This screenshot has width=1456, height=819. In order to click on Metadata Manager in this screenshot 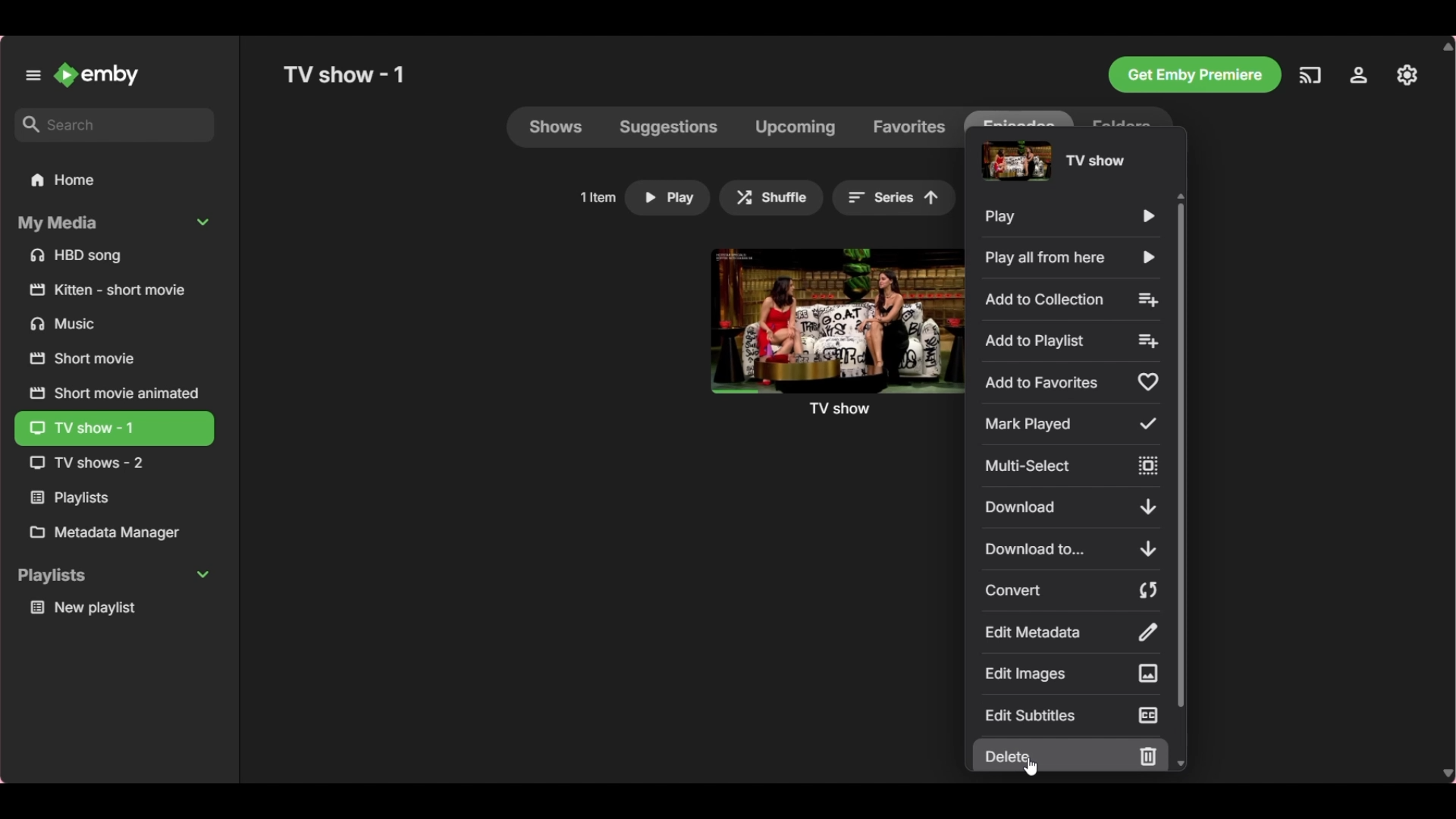, I will do `click(114, 532)`.